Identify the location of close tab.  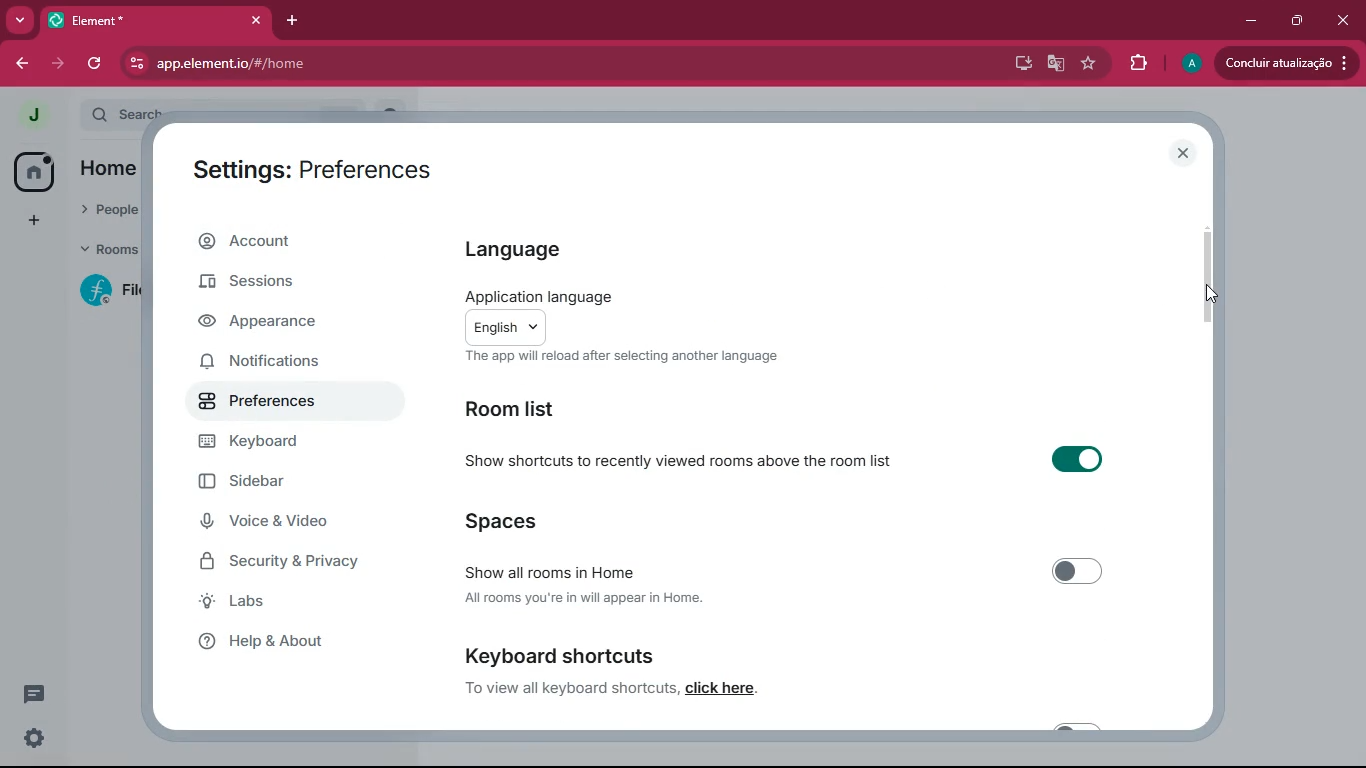
(260, 19).